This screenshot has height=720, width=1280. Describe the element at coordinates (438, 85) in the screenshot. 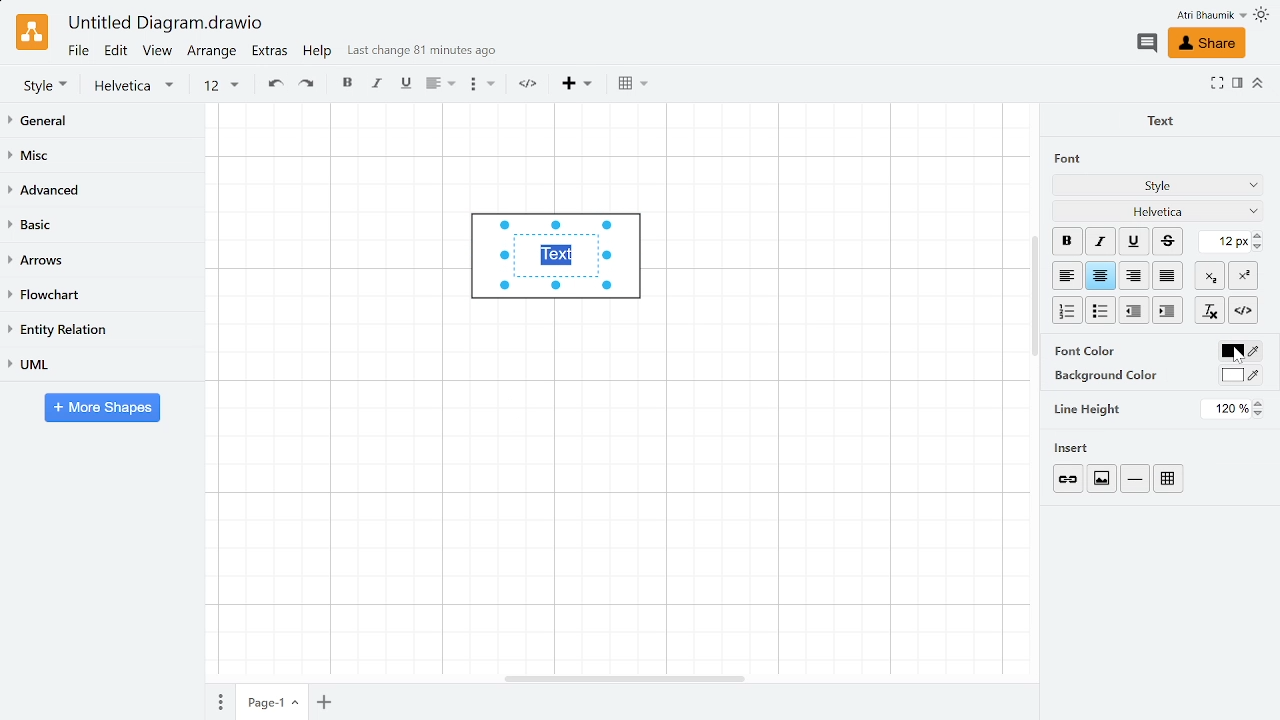

I see `align` at that location.